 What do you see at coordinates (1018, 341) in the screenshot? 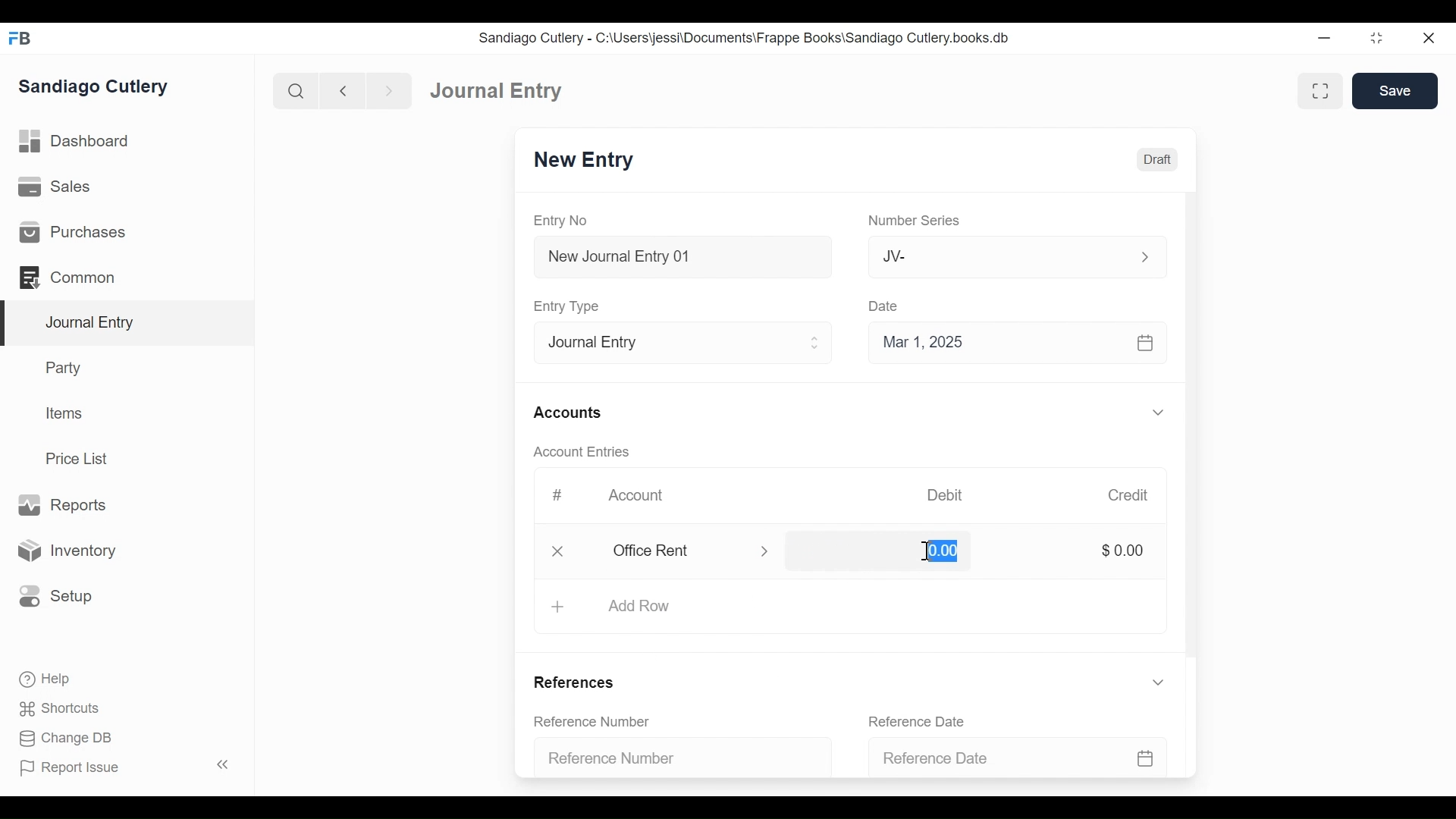
I see `Mar 1, 2025` at bounding box center [1018, 341].